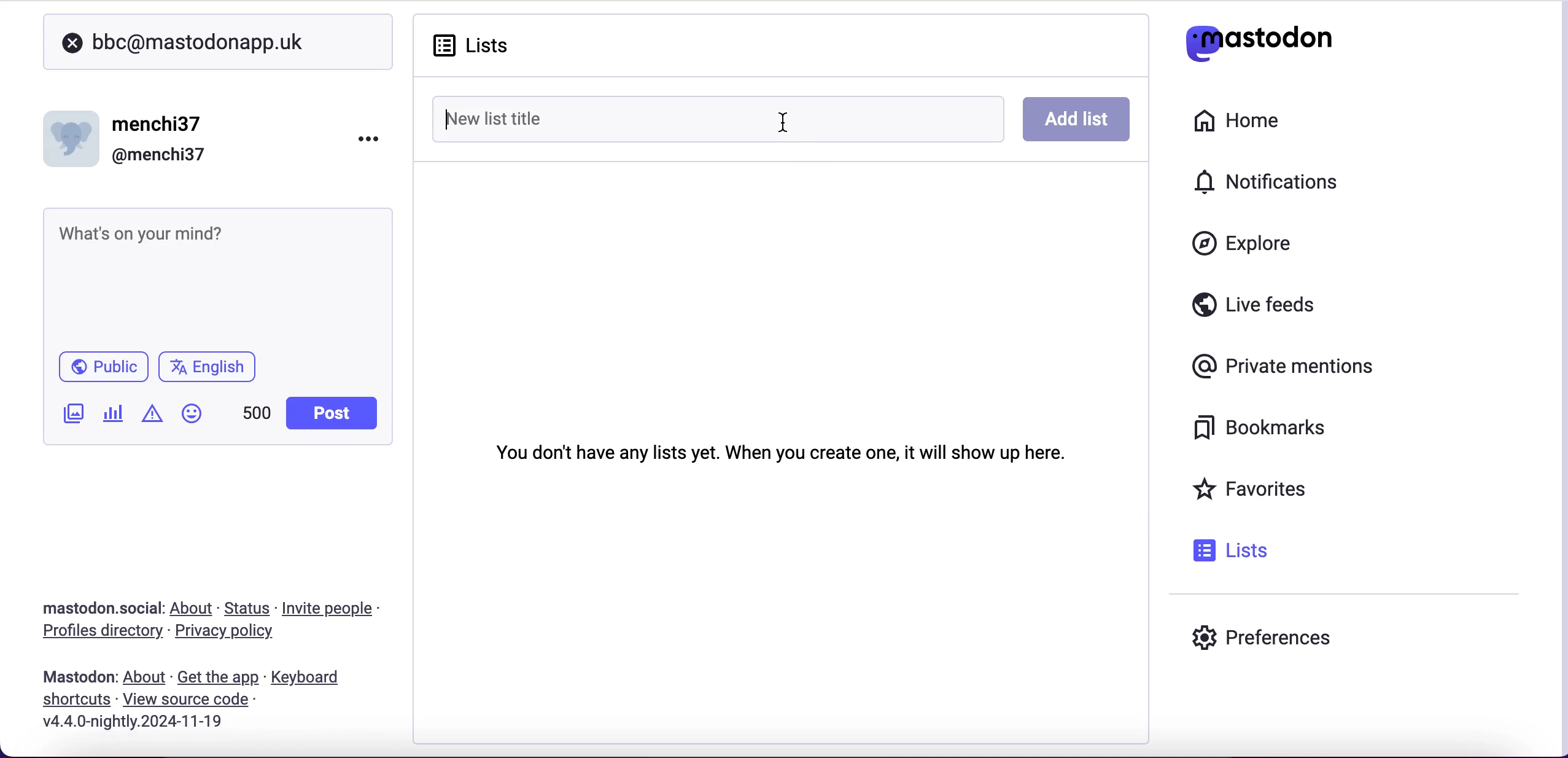  I want to click on get the app, so click(217, 677).